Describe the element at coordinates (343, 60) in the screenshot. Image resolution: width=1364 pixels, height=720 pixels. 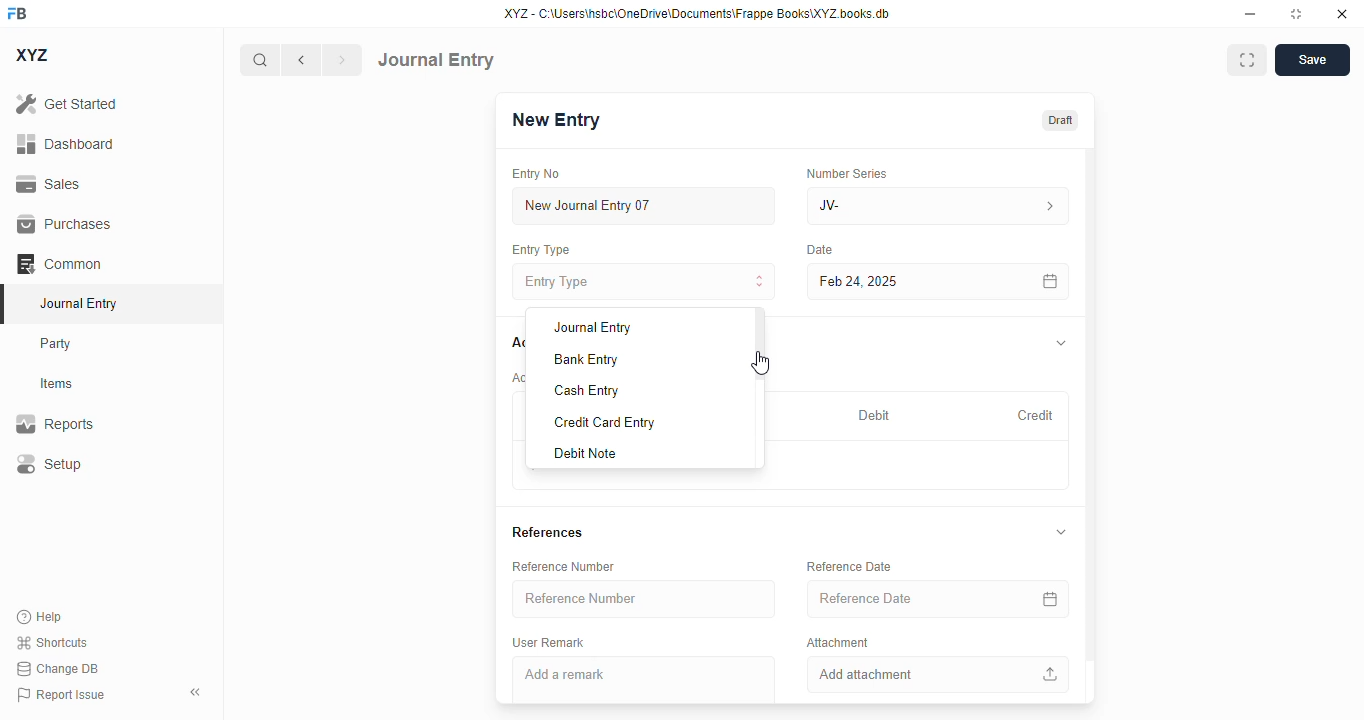
I see `next` at that location.